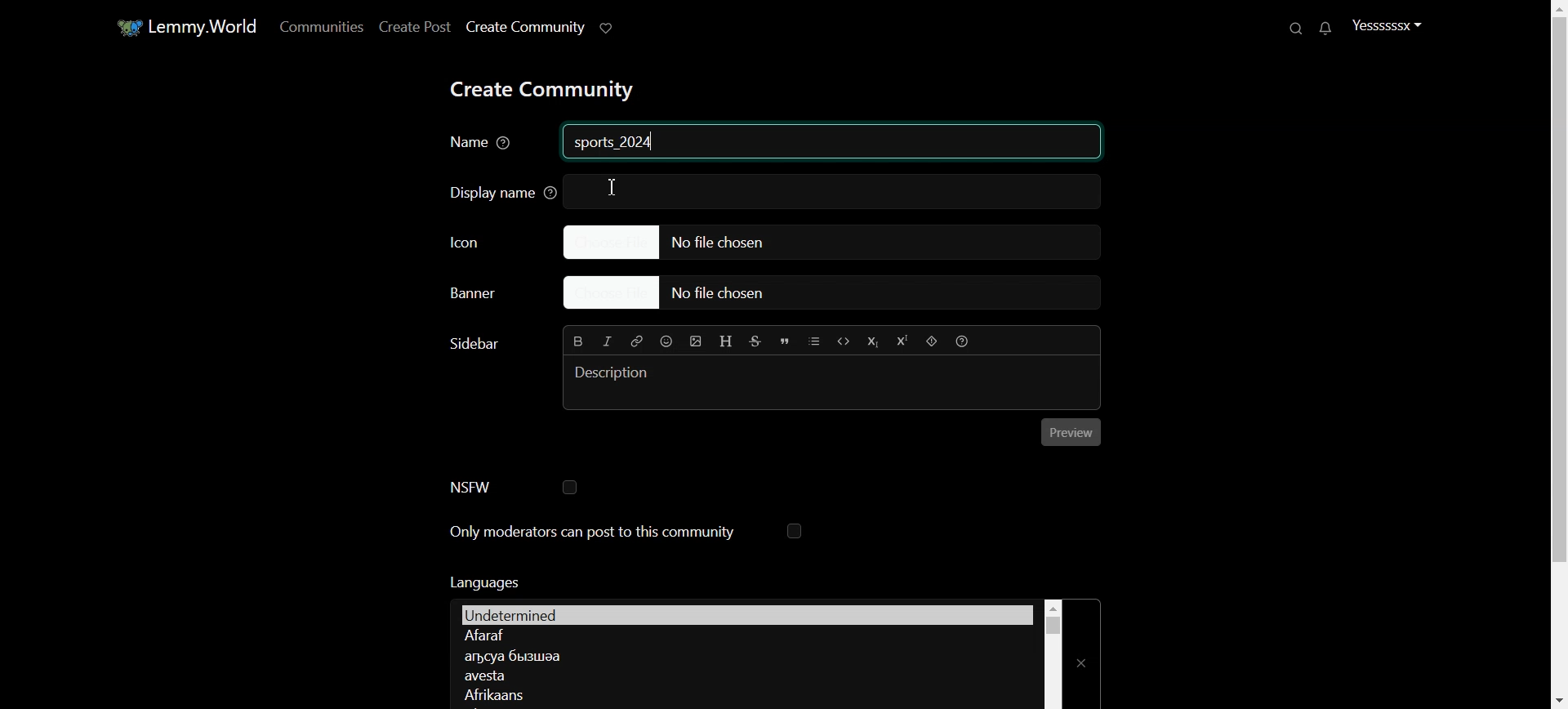 The height and width of the screenshot is (709, 1568). I want to click on Preview, so click(1071, 432).